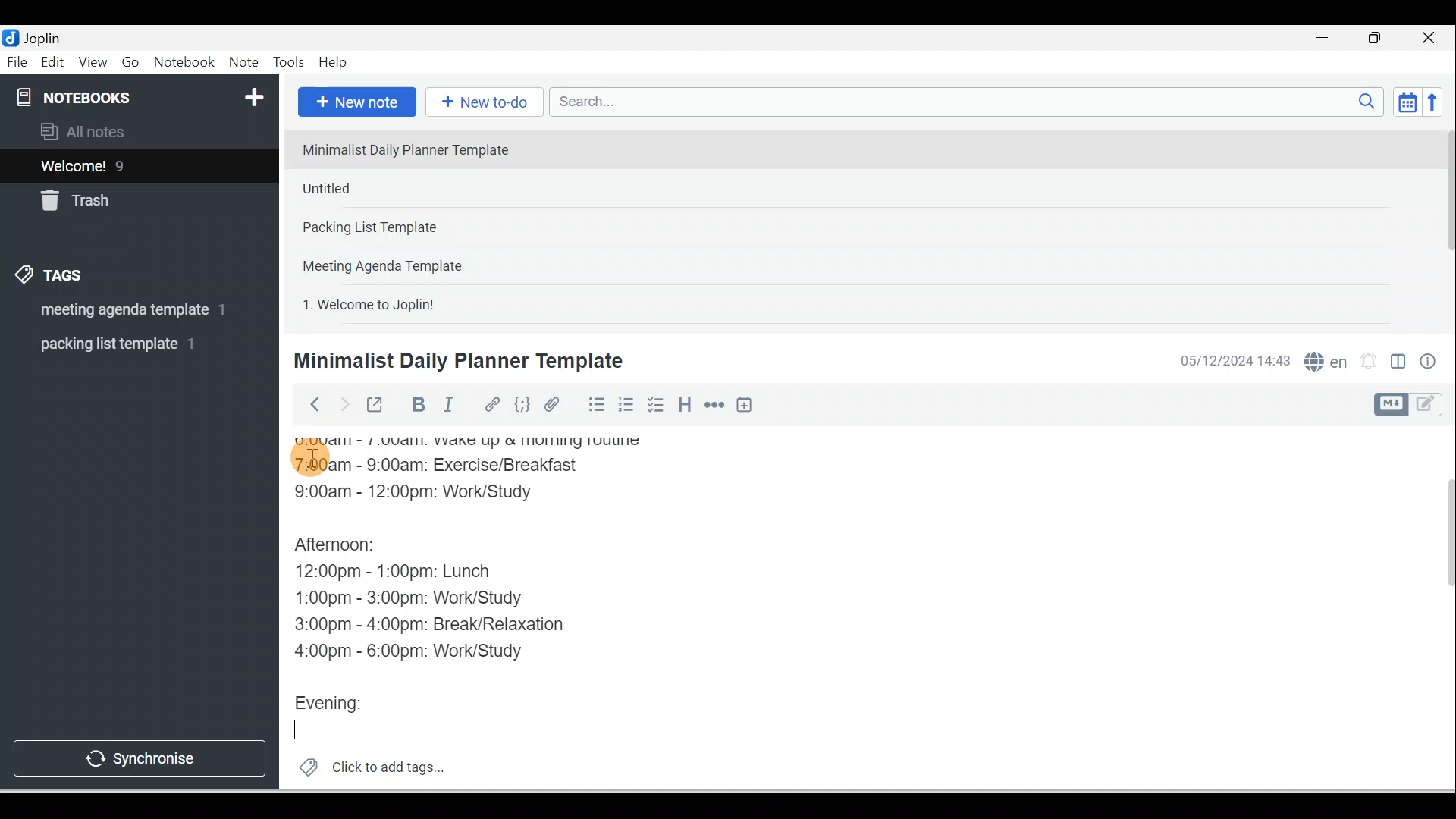  What do you see at coordinates (744, 406) in the screenshot?
I see `Insert time` at bounding box center [744, 406].